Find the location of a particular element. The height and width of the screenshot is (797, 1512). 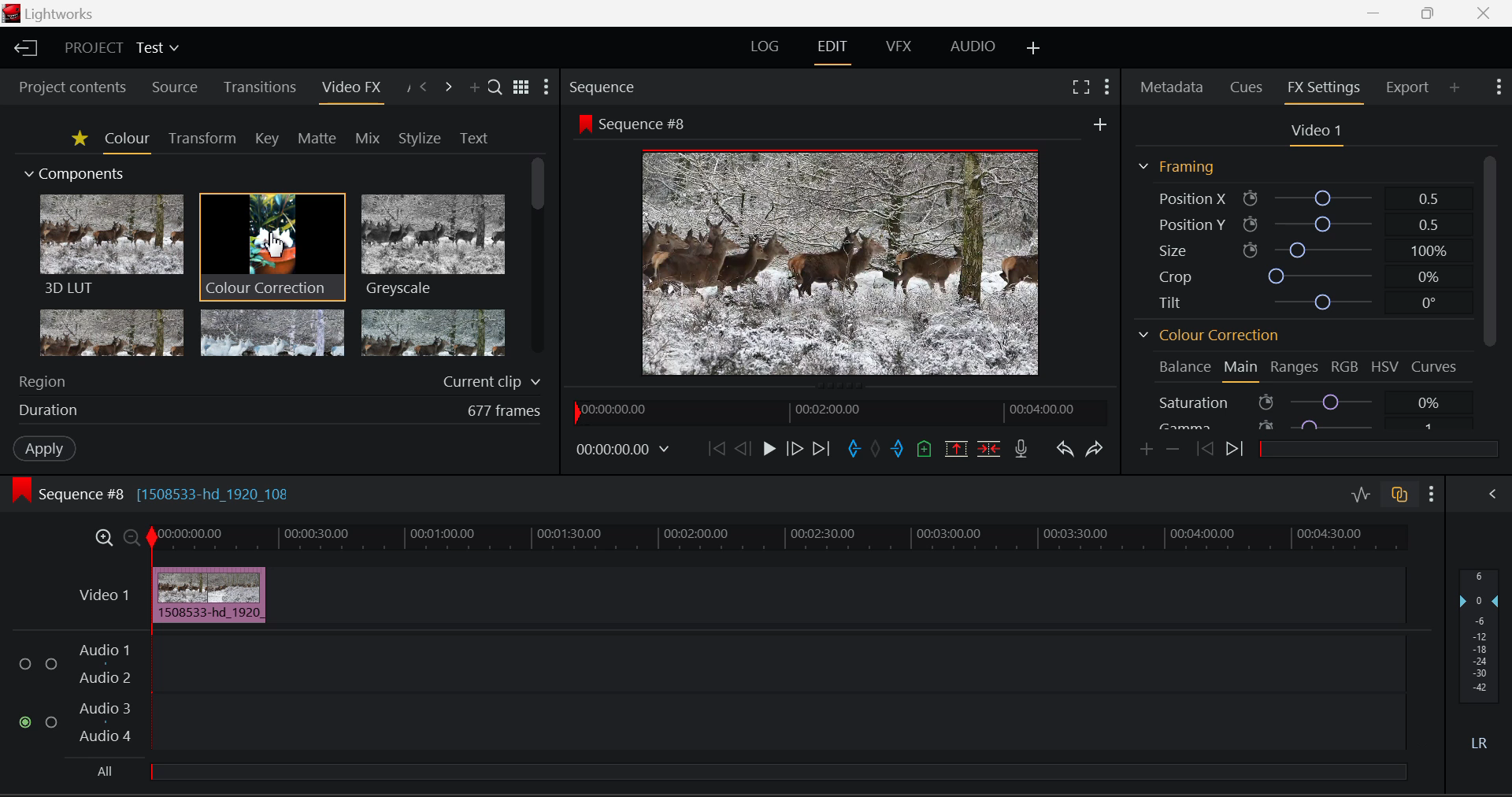

Matte is located at coordinates (317, 139).